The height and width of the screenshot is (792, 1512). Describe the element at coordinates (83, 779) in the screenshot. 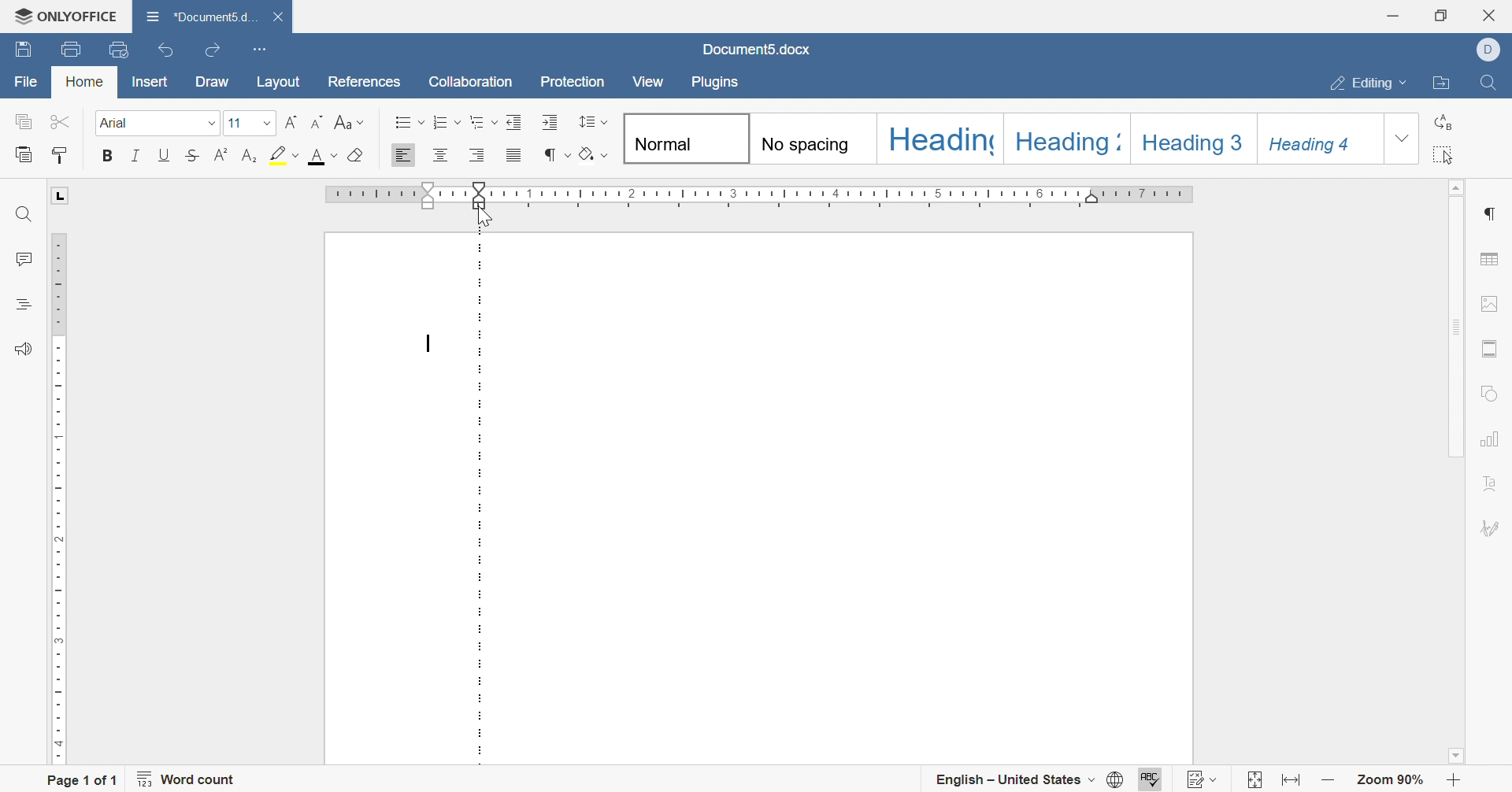

I see `page 1 of 1` at that location.